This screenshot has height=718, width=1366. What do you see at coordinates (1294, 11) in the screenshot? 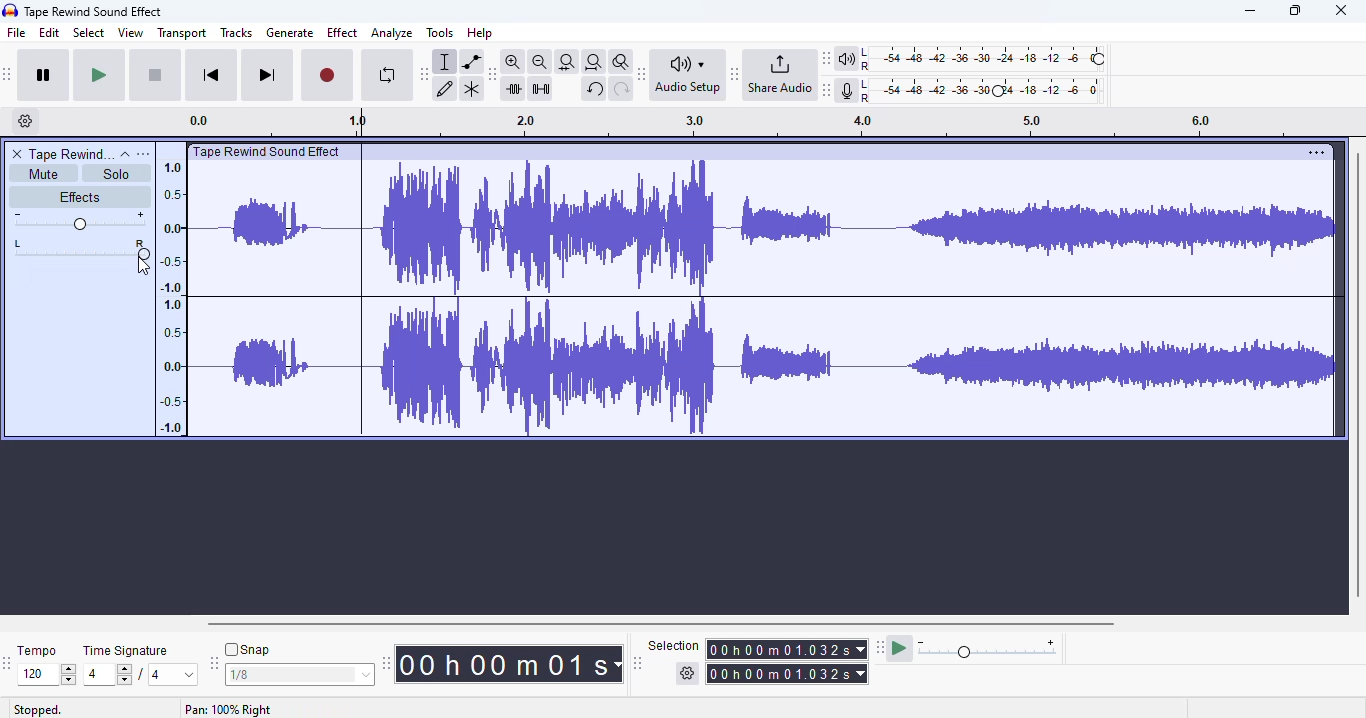
I see `maximize` at bounding box center [1294, 11].